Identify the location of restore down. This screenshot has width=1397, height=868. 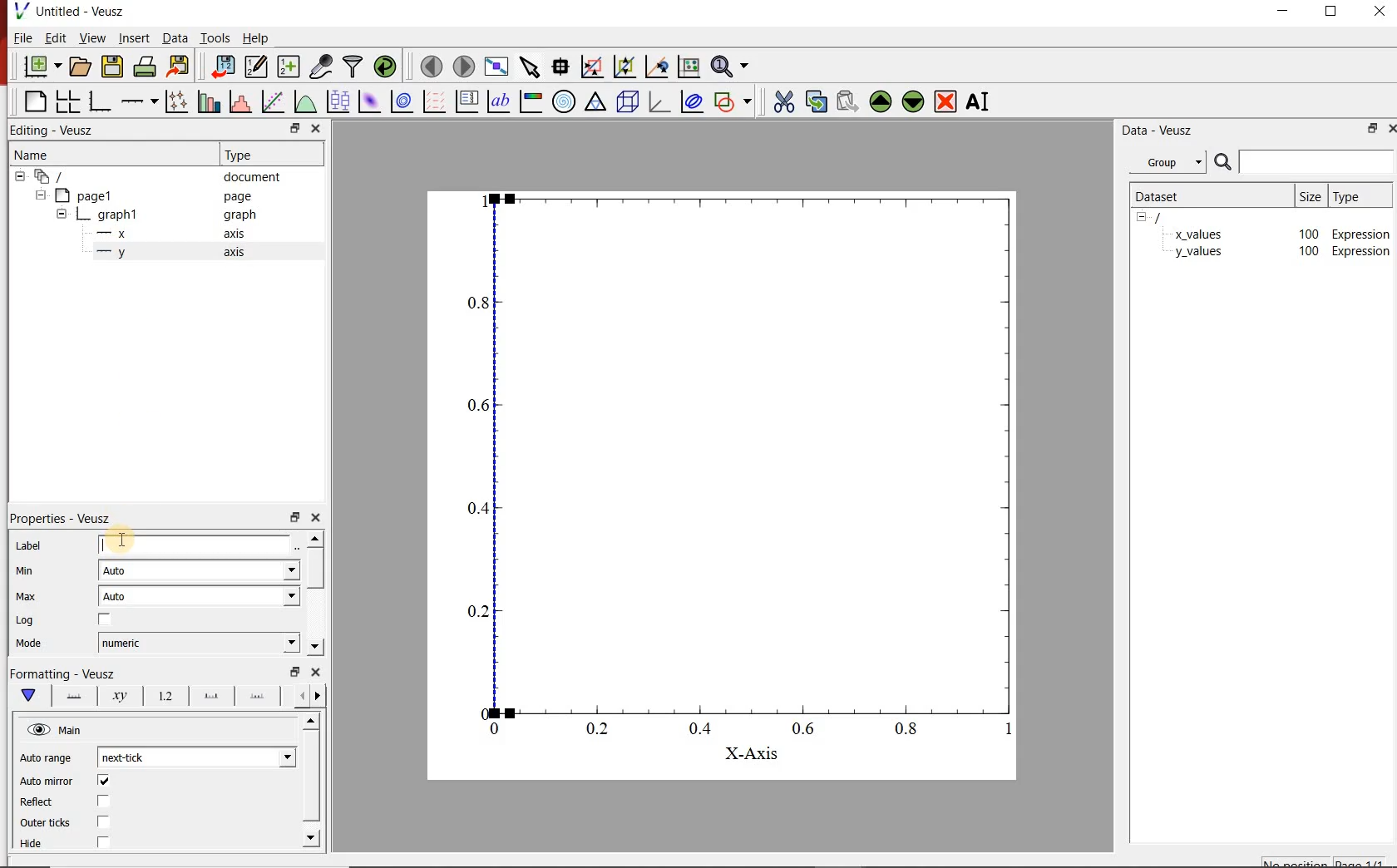
(294, 671).